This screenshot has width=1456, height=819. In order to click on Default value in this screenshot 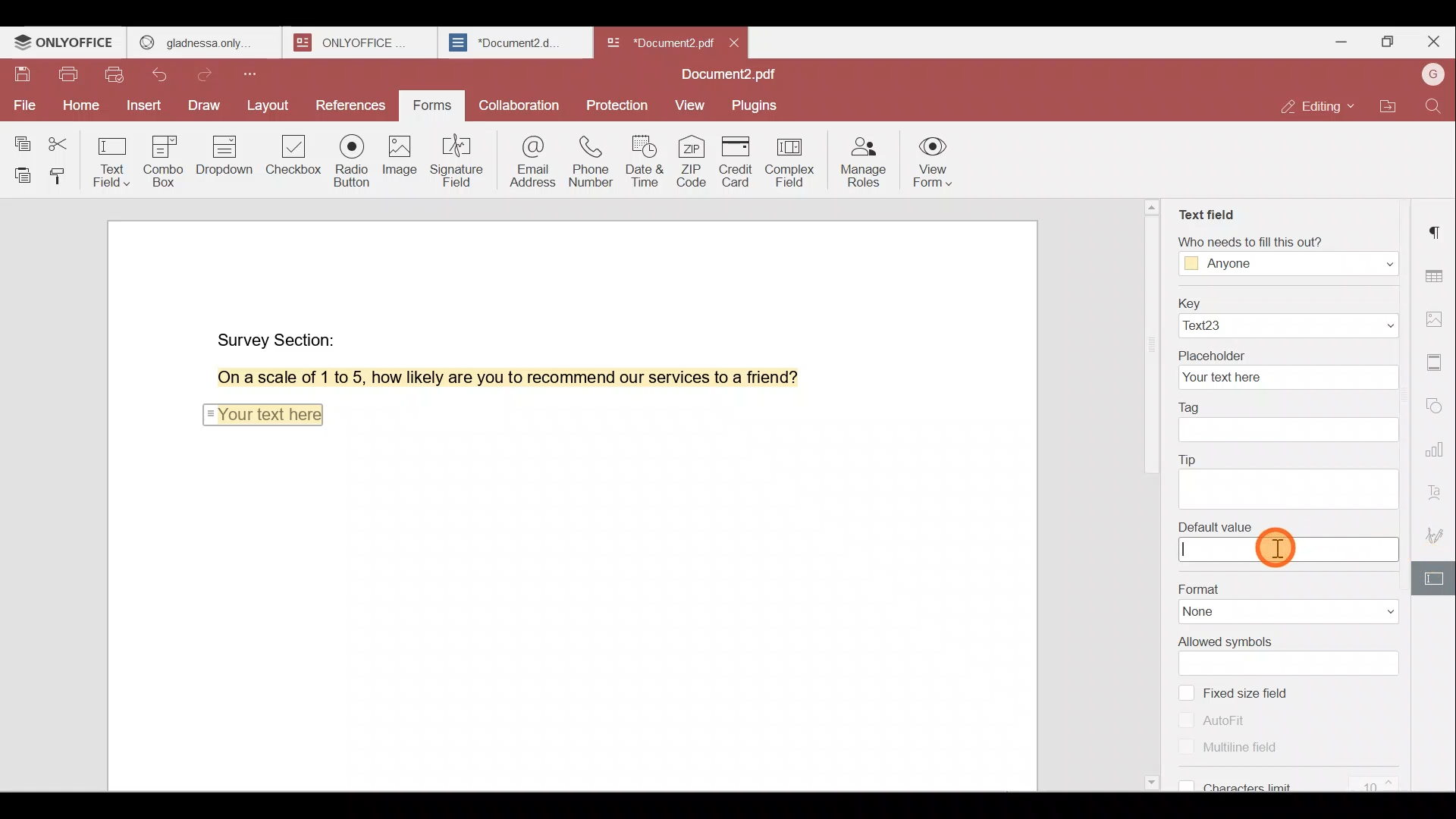, I will do `click(1287, 541)`.